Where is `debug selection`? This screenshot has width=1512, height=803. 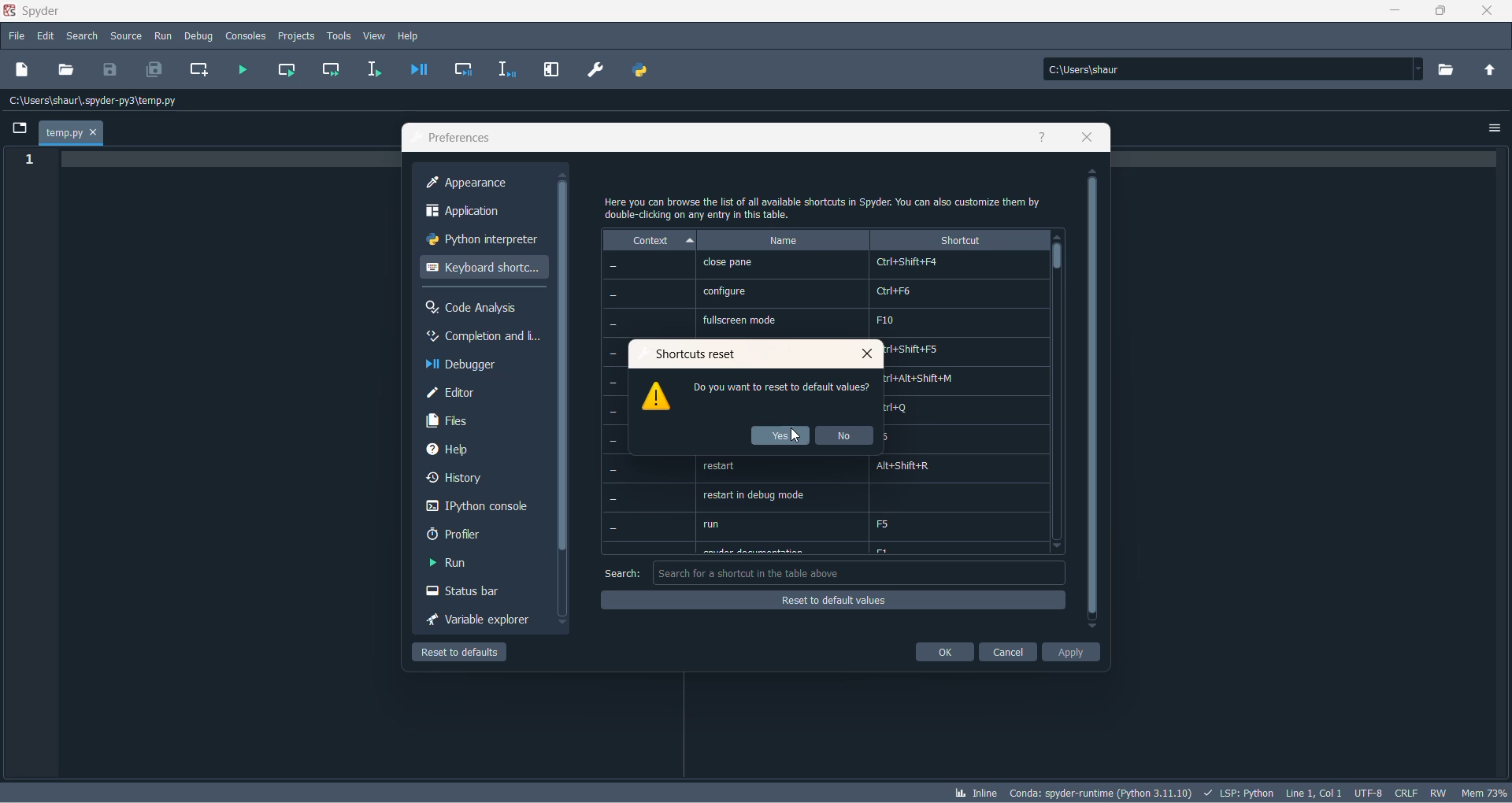 debug selection is located at coordinates (509, 71).